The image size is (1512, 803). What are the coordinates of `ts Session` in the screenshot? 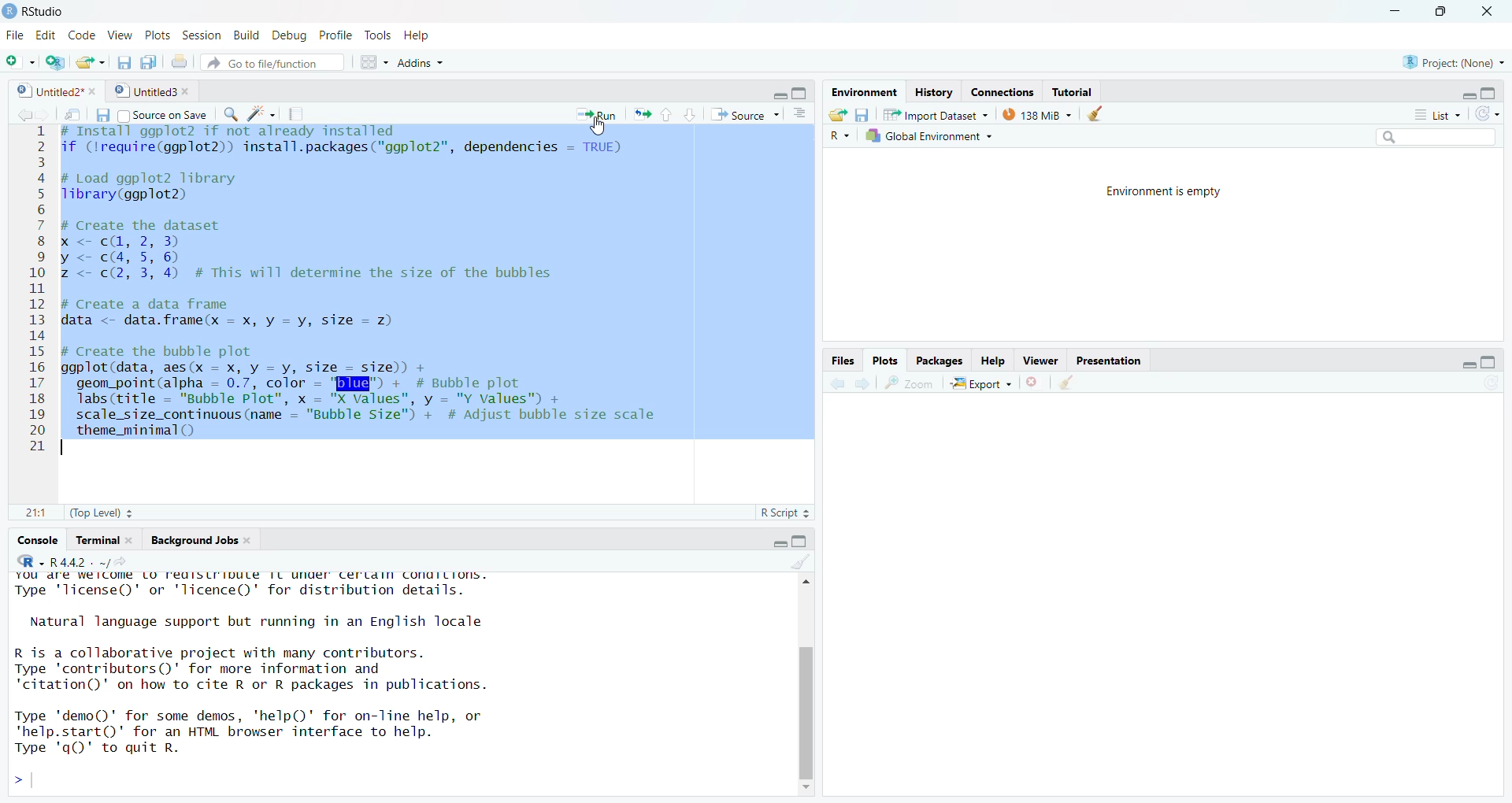 It's located at (200, 35).